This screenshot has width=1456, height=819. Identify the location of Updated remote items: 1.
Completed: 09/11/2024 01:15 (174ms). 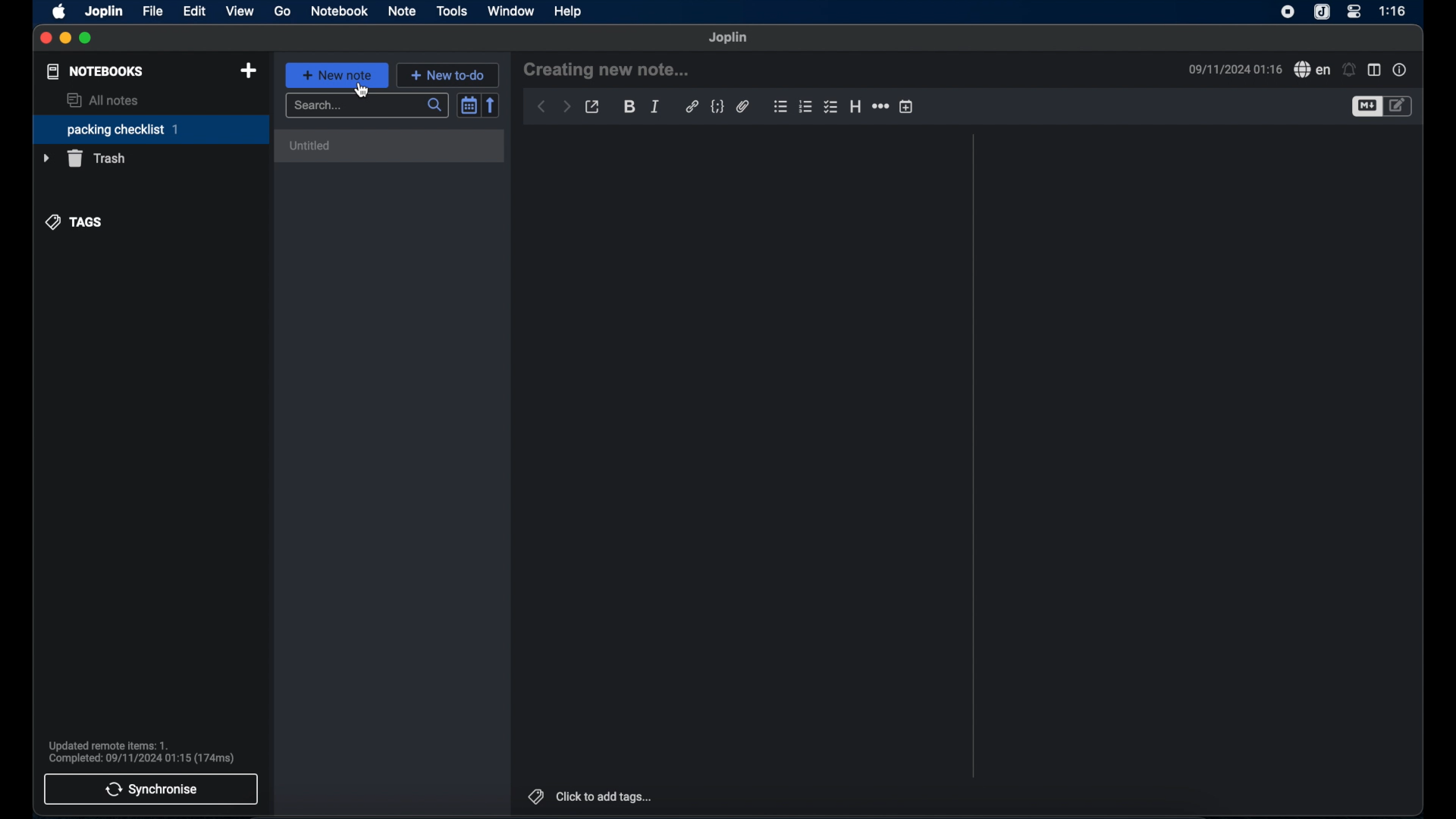
(143, 750).